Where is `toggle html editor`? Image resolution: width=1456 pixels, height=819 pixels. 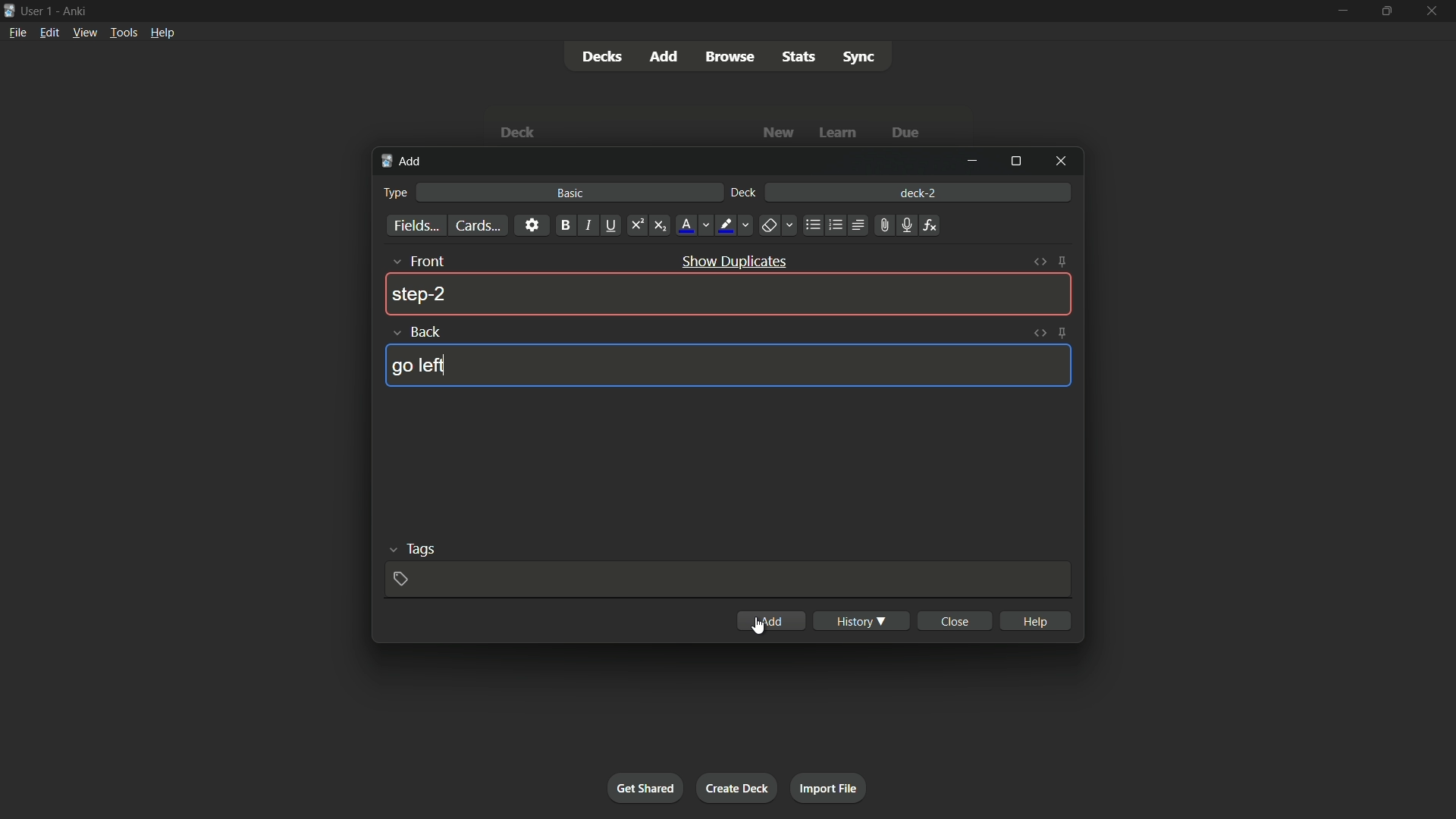 toggle html editor is located at coordinates (1040, 331).